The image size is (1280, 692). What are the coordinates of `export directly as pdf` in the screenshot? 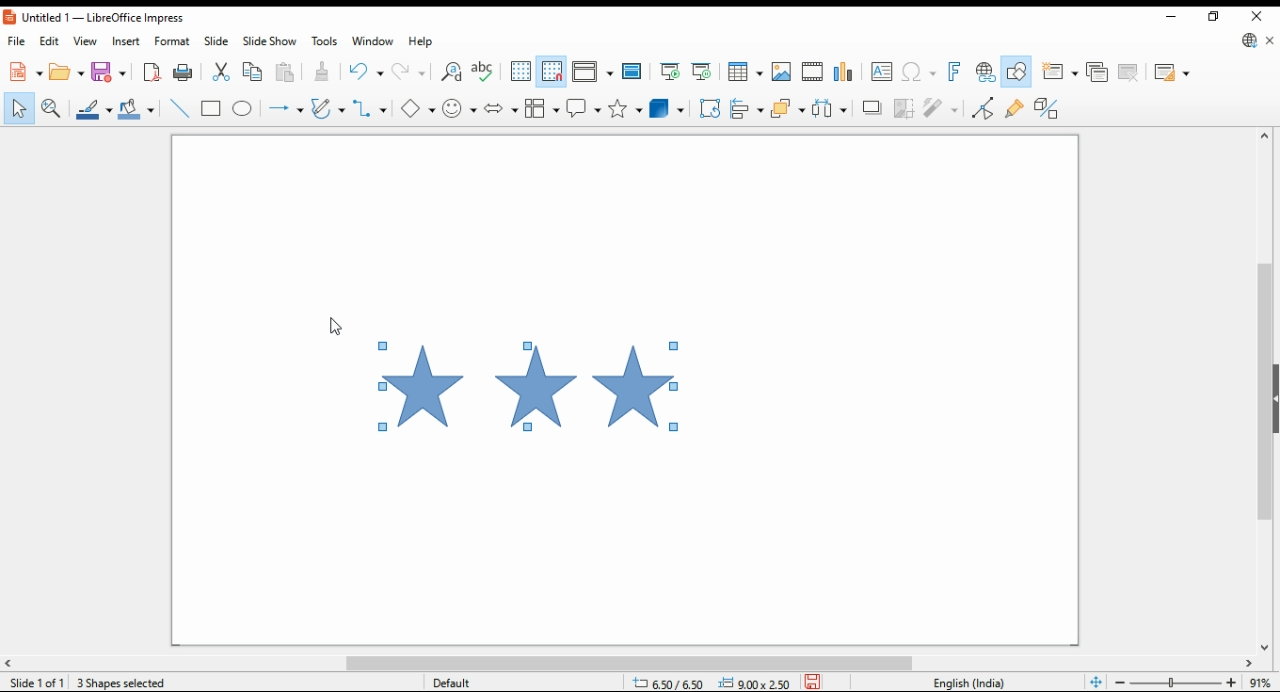 It's located at (151, 72).